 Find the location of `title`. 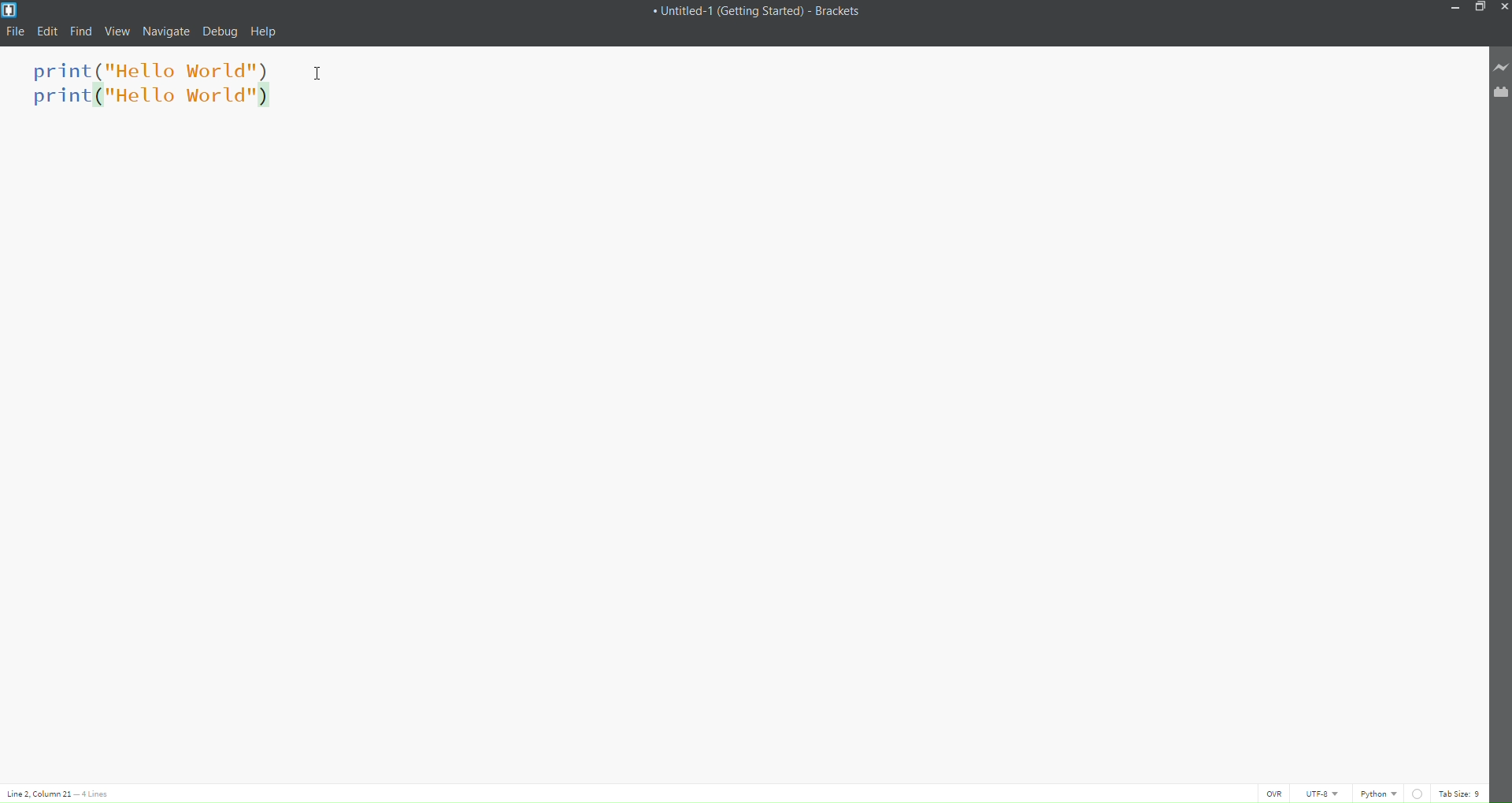

title is located at coordinates (755, 12).